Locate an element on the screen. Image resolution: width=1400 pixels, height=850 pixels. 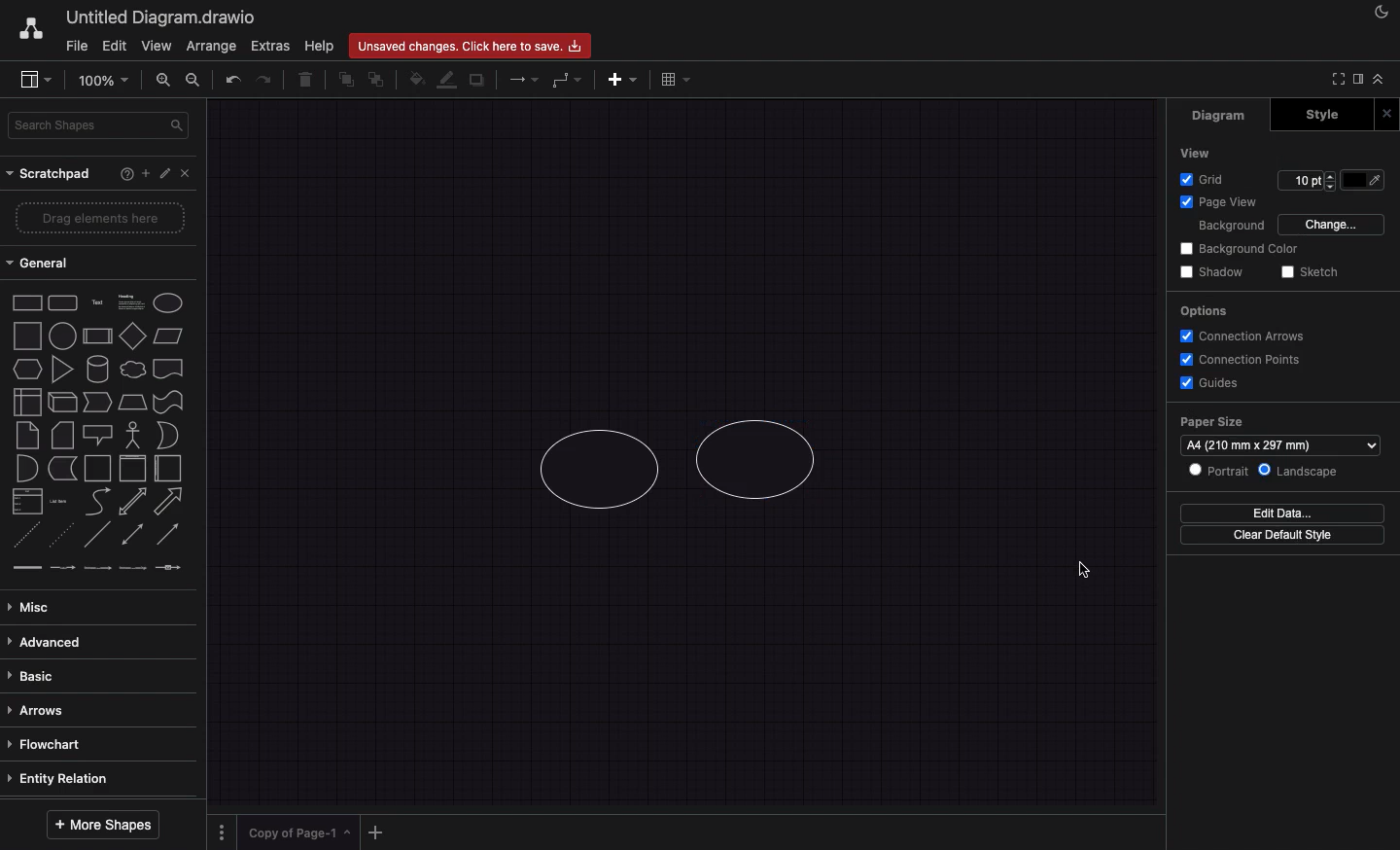
triangle is located at coordinates (62, 370).